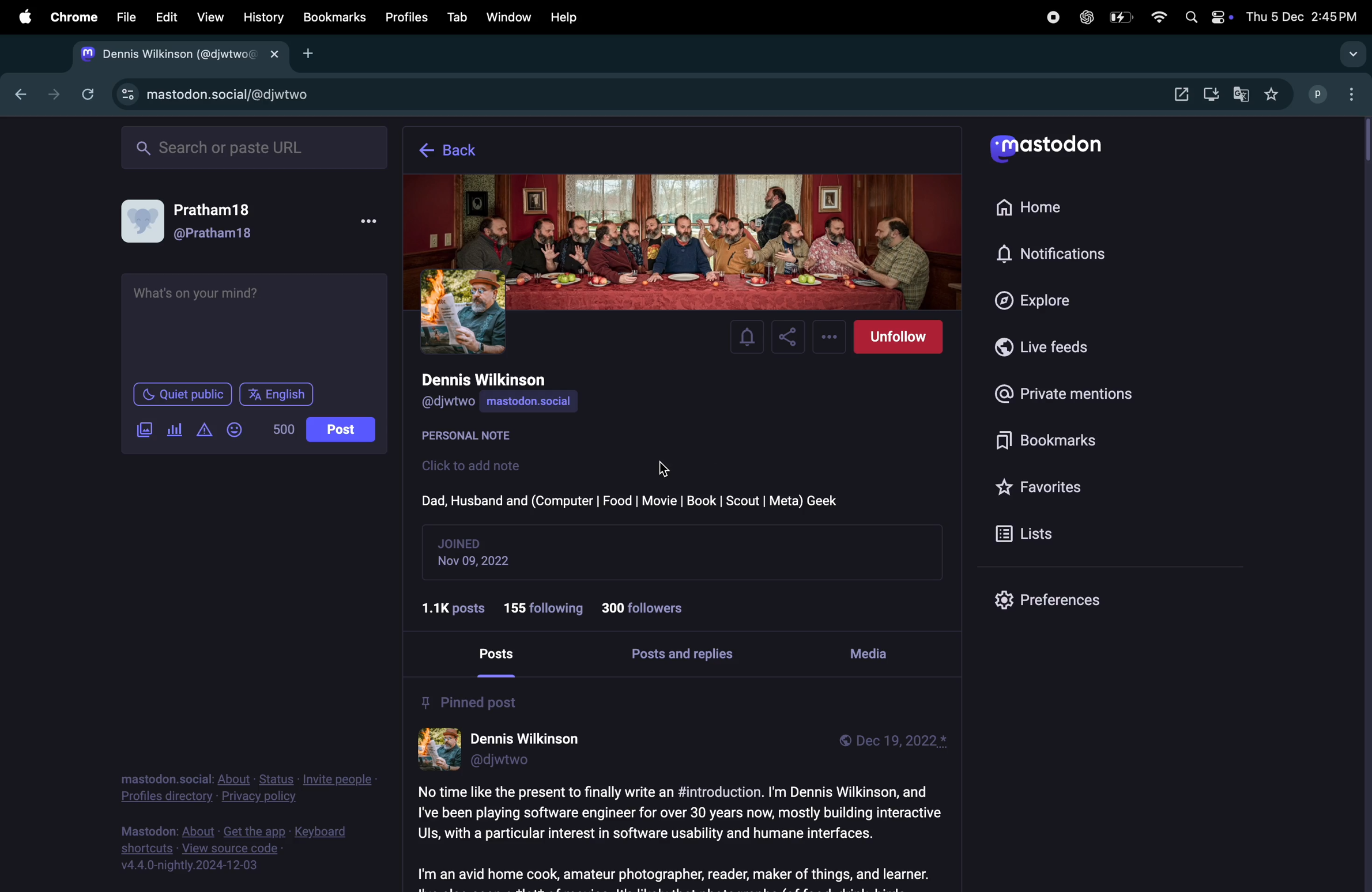  I want to click on bookmarks, so click(1046, 440).